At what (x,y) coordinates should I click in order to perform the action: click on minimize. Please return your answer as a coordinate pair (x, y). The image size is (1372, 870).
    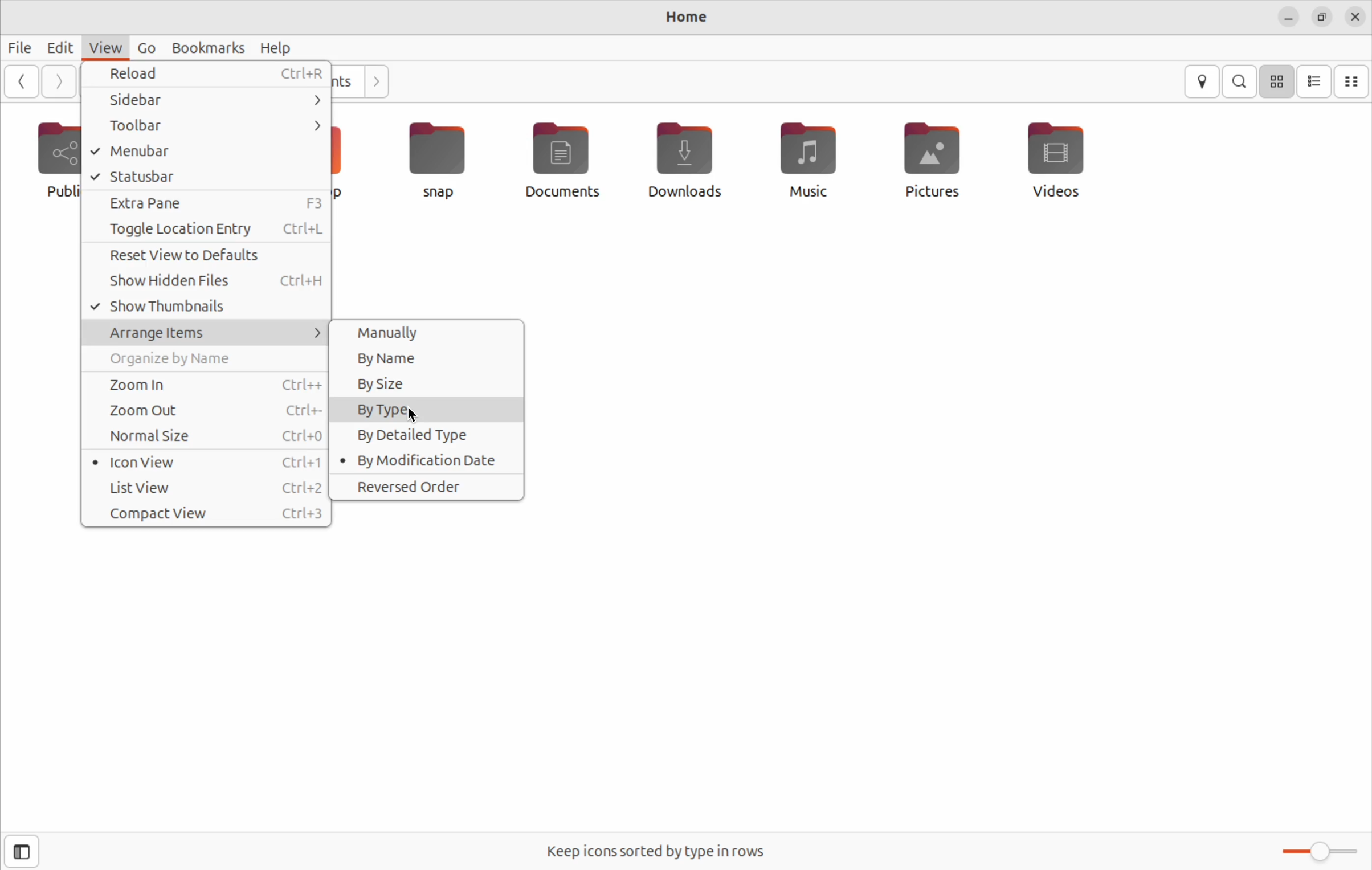
    Looking at the image, I should click on (1290, 16).